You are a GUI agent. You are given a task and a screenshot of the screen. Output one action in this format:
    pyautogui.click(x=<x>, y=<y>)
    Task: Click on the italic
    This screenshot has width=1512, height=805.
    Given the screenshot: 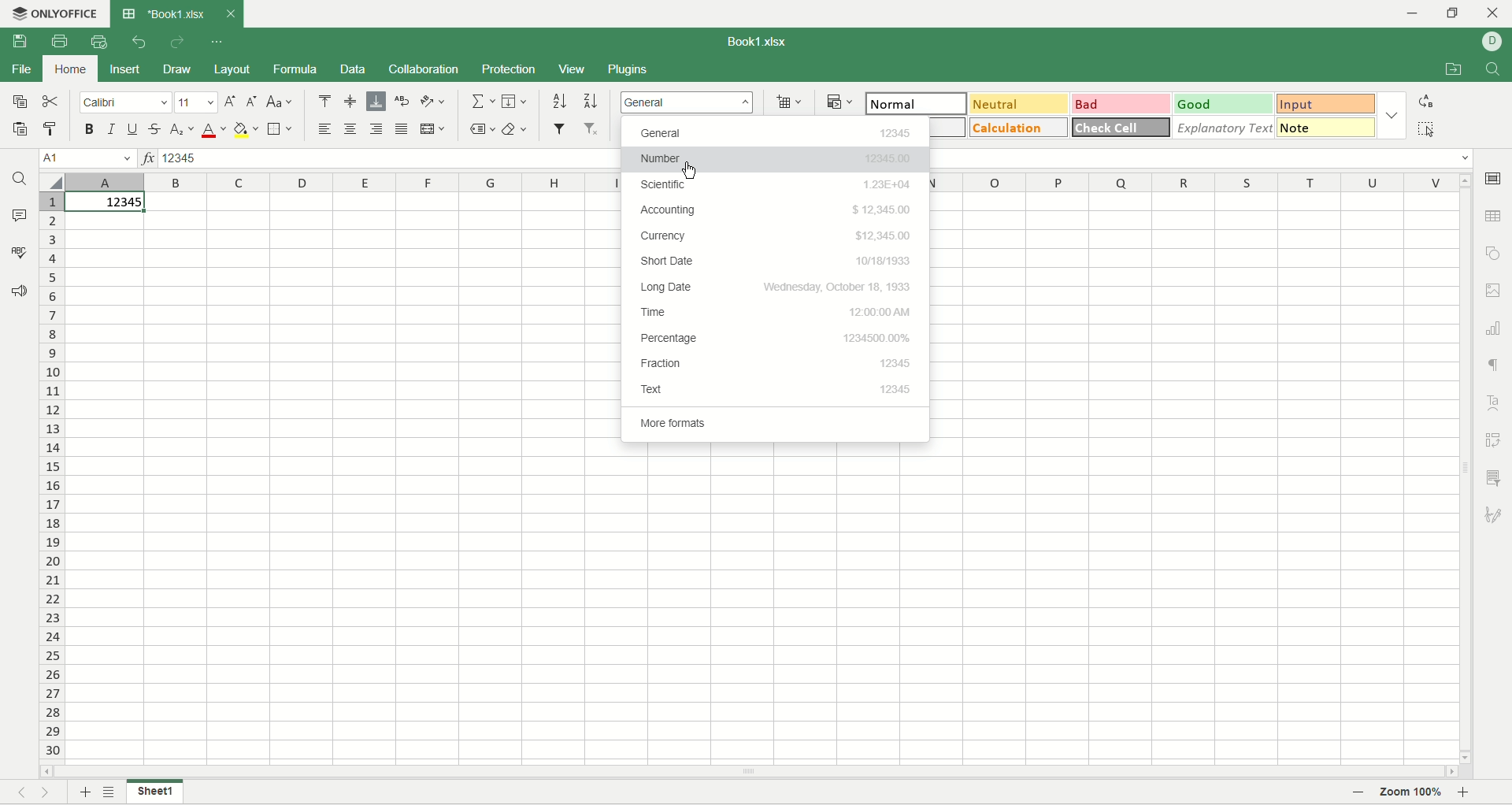 What is the action you would take?
    pyautogui.click(x=112, y=128)
    